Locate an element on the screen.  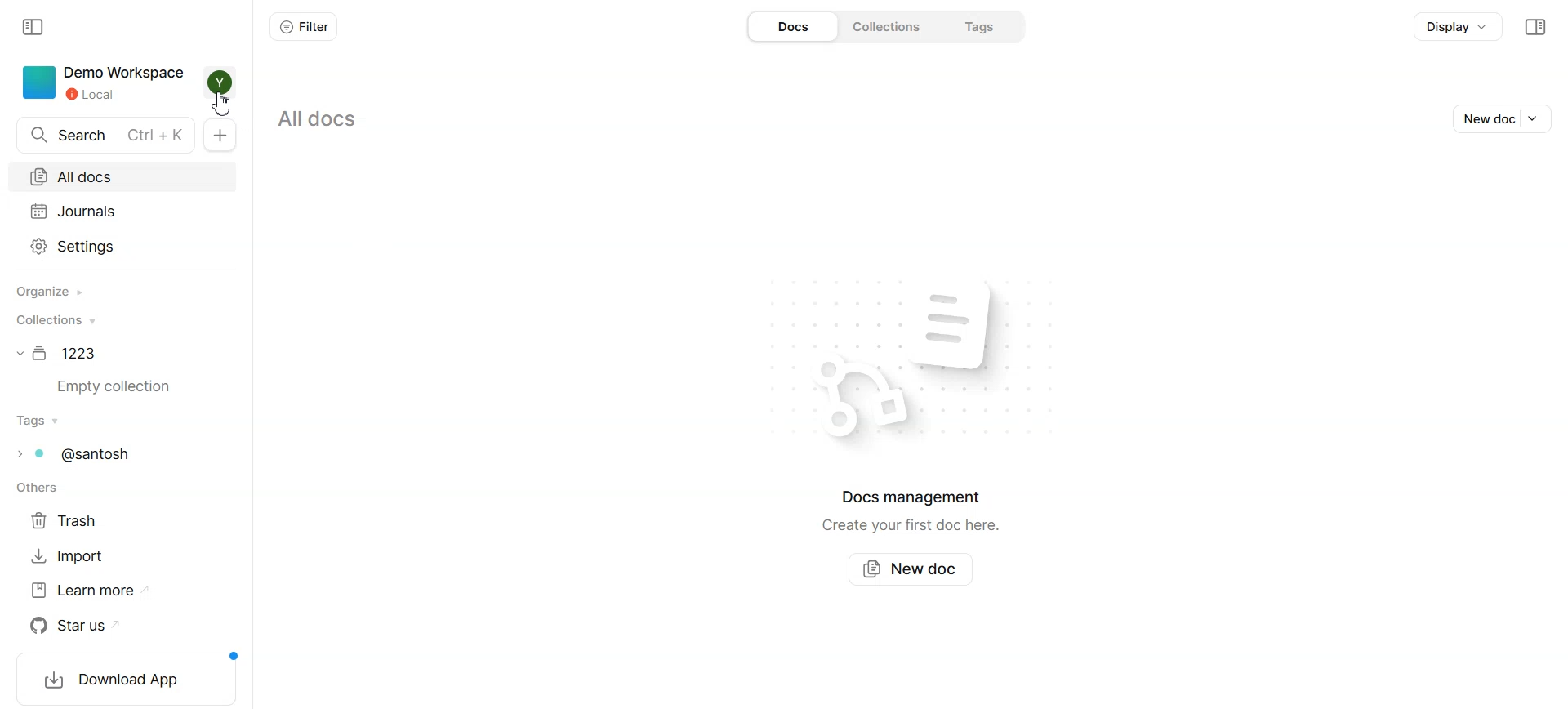
All docs is located at coordinates (127, 175).